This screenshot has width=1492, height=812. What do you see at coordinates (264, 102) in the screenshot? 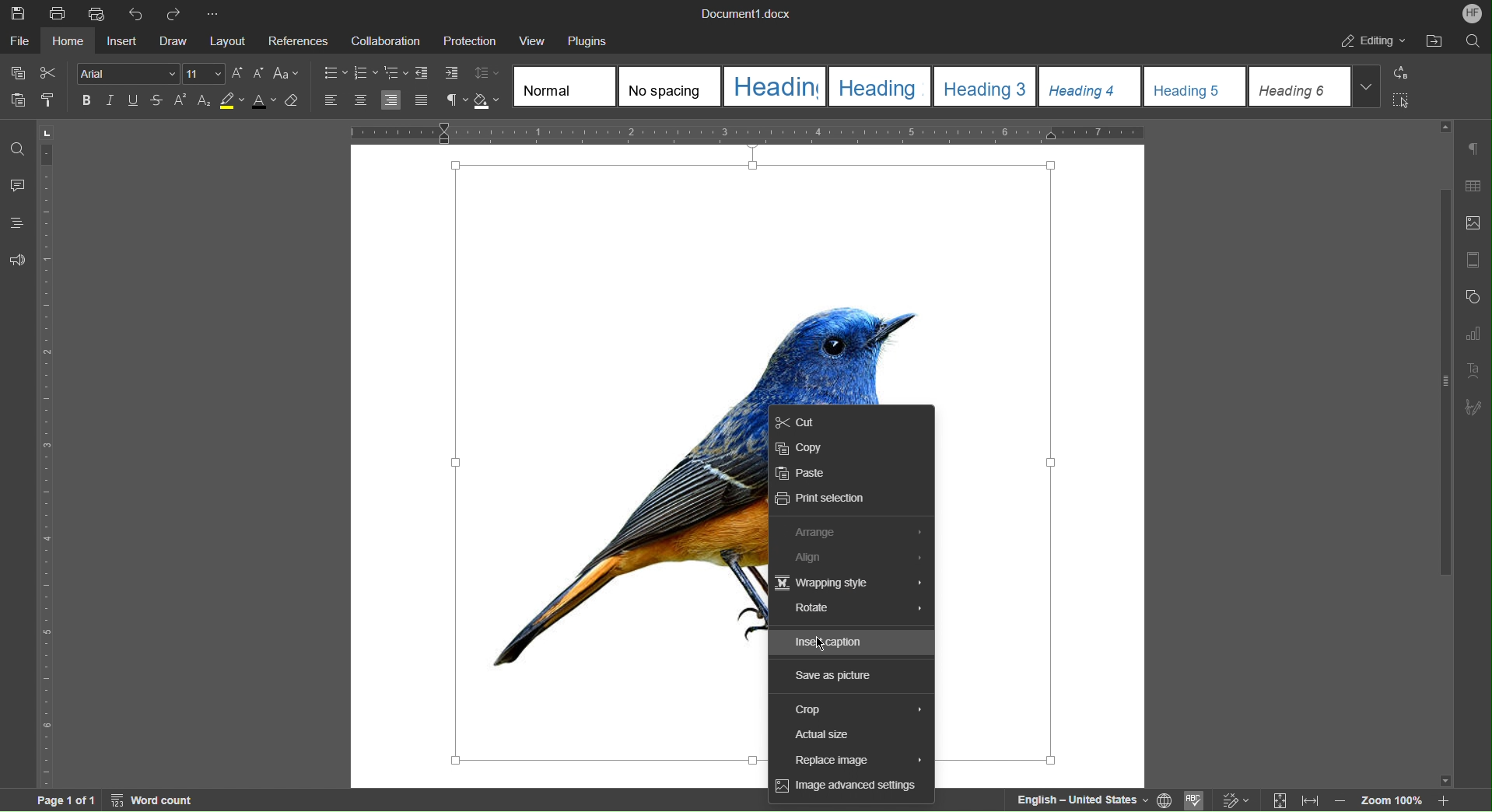
I see `Font Color` at bounding box center [264, 102].